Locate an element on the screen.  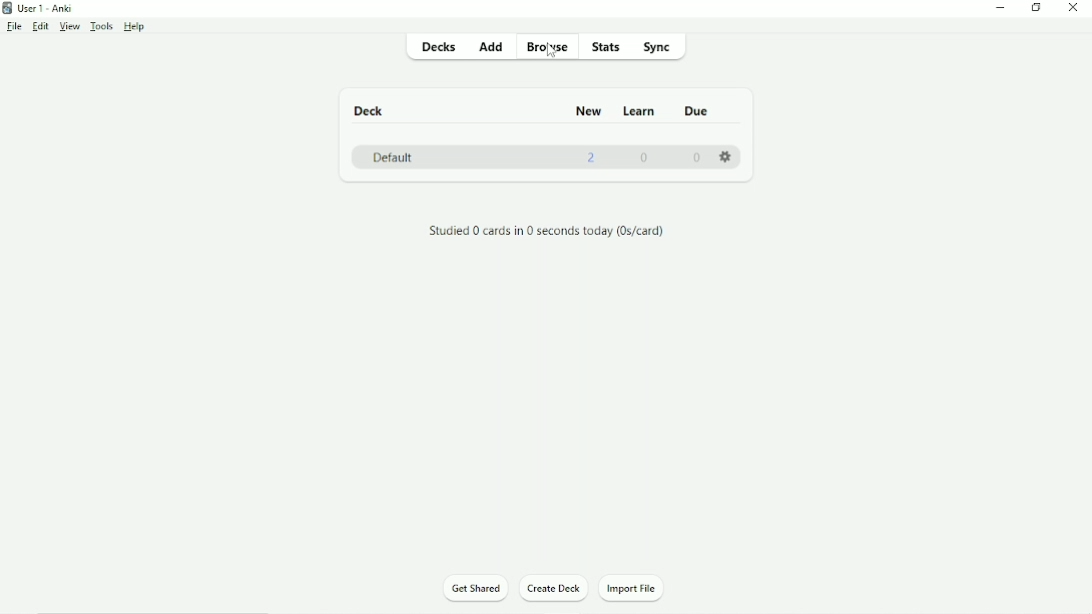
Deck is located at coordinates (367, 109).